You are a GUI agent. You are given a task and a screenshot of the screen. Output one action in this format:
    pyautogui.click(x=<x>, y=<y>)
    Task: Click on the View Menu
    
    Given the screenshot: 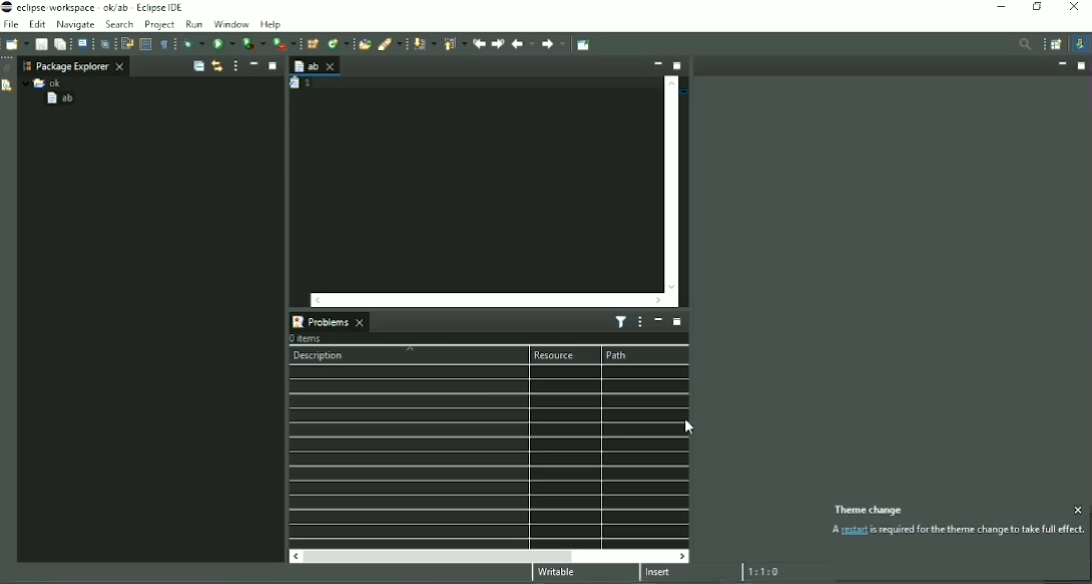 What is the action you would take?
    pyautogui.click(x=640, y=322)
    